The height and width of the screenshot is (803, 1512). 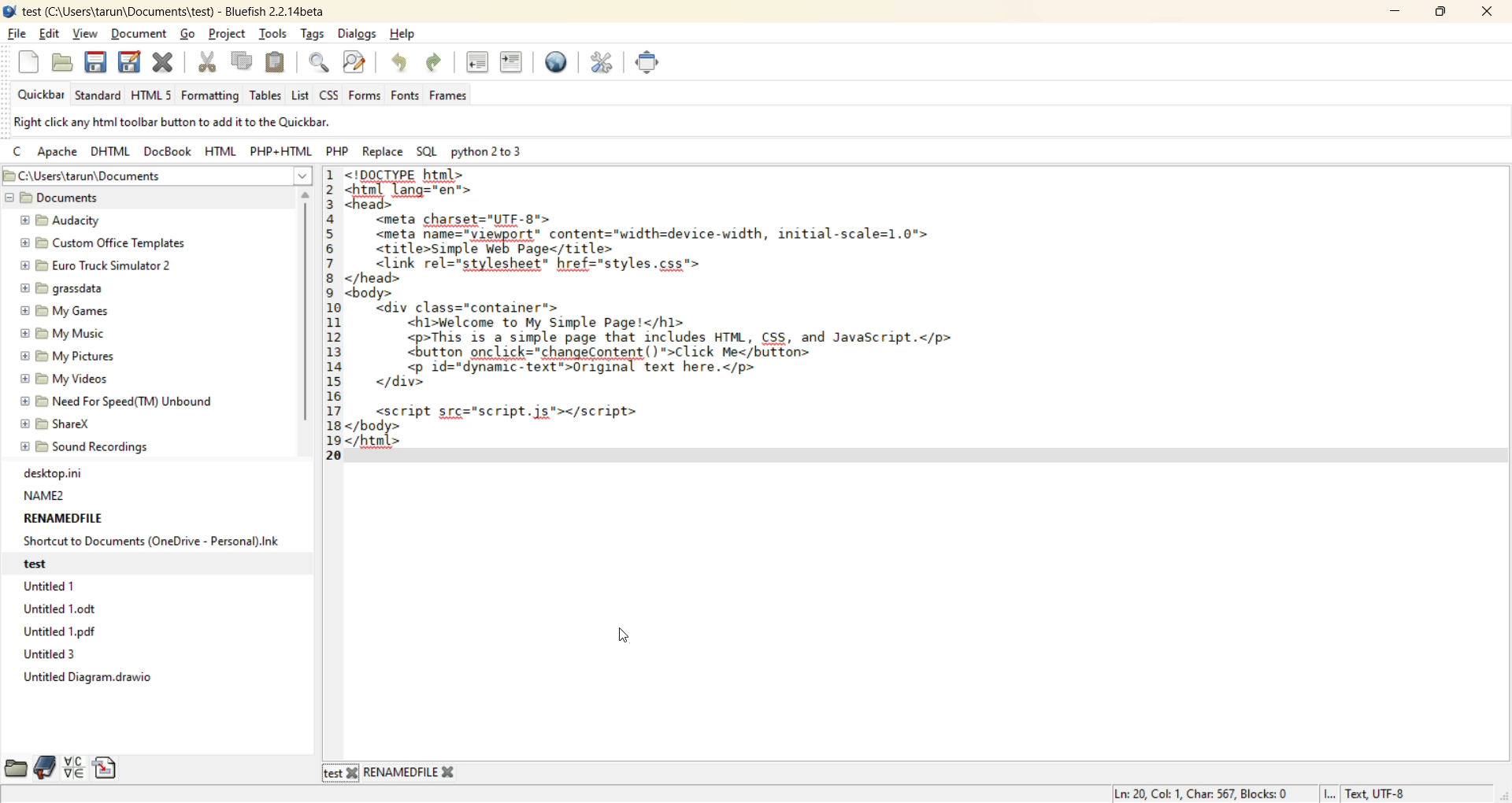 What do you see at coordinates (143, 33) in the screenshot?
I see `document` at bounding box center [143, 33].